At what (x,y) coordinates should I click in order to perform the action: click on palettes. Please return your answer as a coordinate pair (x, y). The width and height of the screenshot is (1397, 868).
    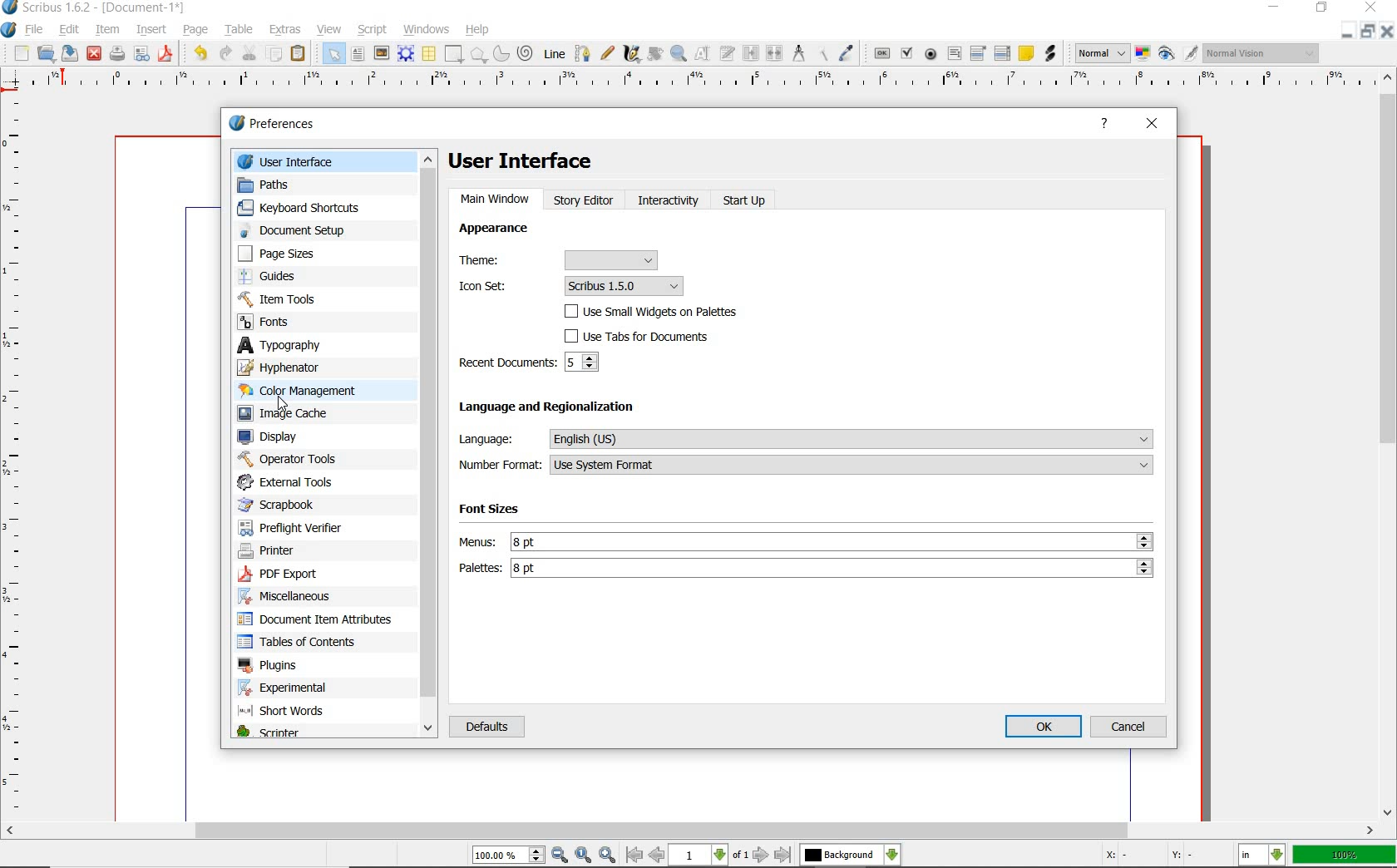
    Looking at the image, I should click on (805, 567).